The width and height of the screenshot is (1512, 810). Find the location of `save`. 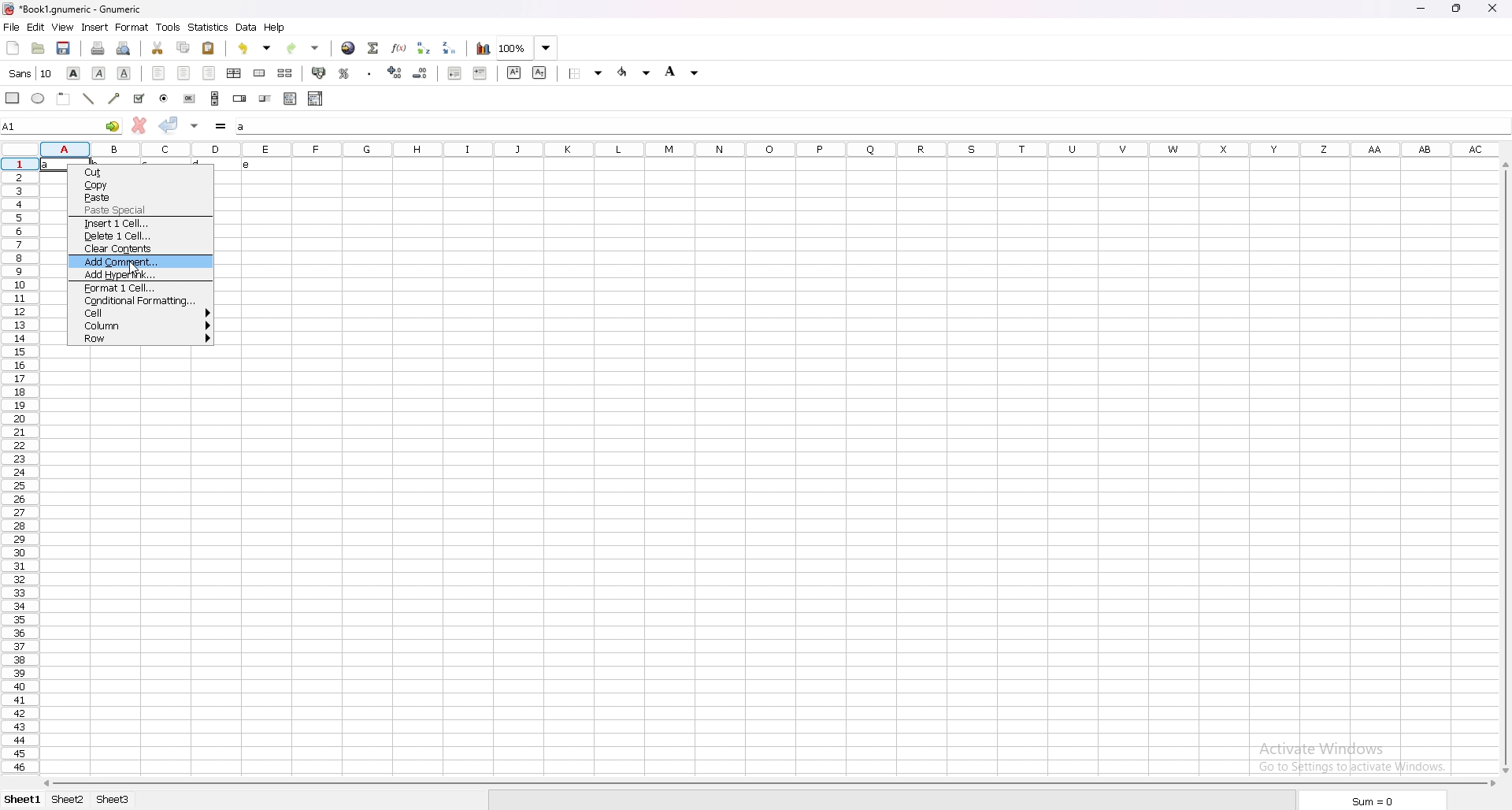

save is located at coordinates (65, 48).